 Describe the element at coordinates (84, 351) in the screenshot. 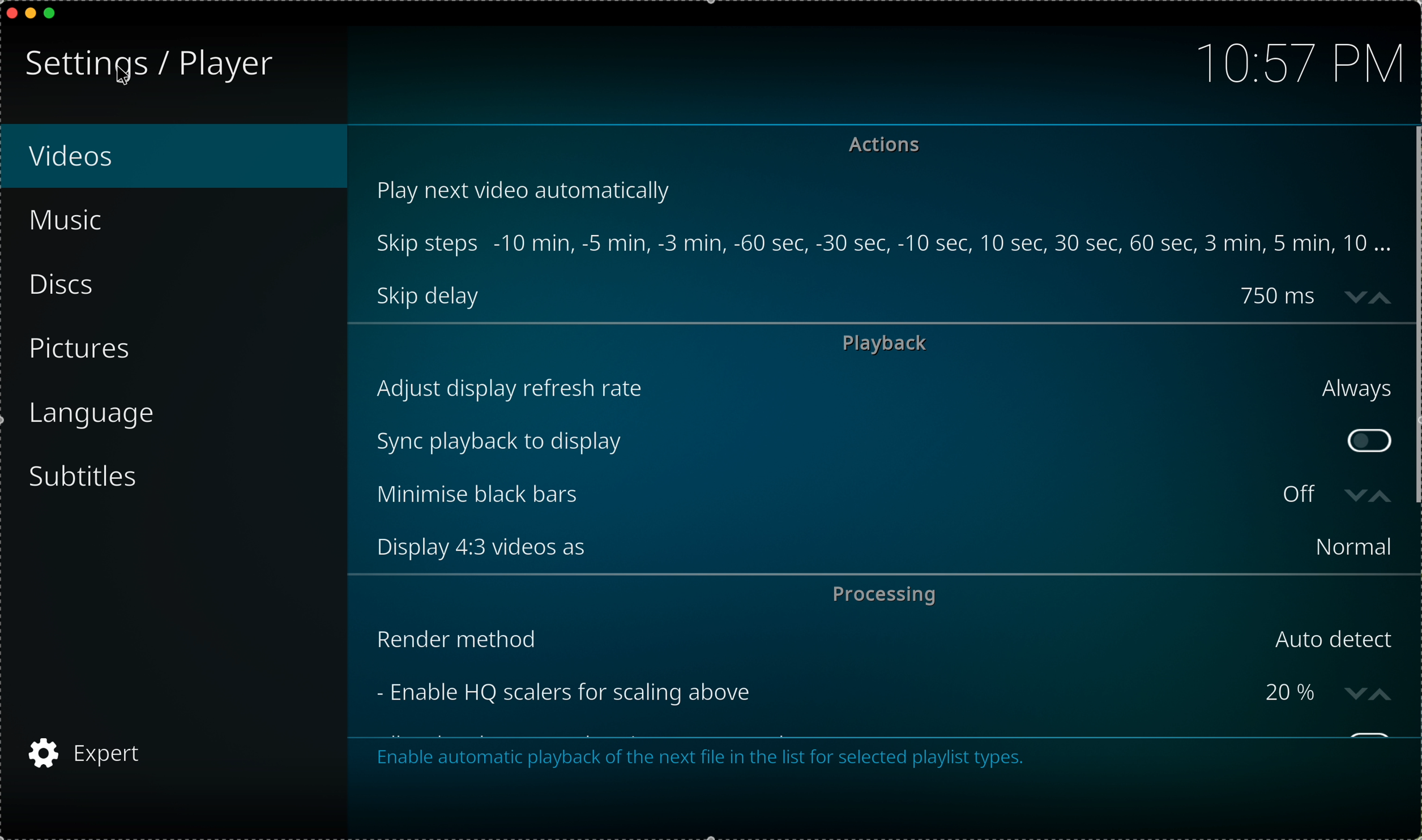

I see `pictures` at that location.